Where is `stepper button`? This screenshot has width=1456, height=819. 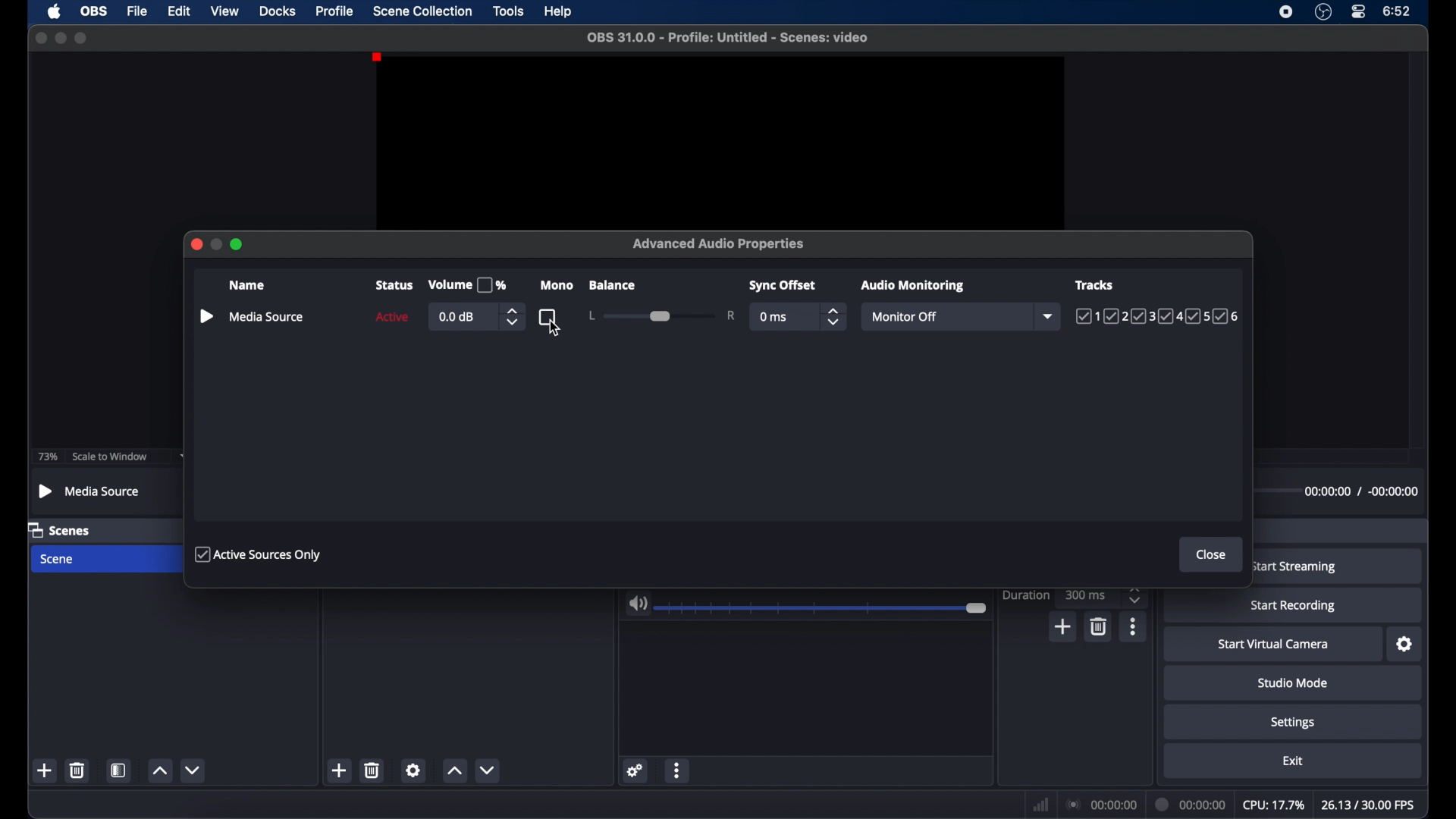 stepper button is located at coordinates (511, 317).